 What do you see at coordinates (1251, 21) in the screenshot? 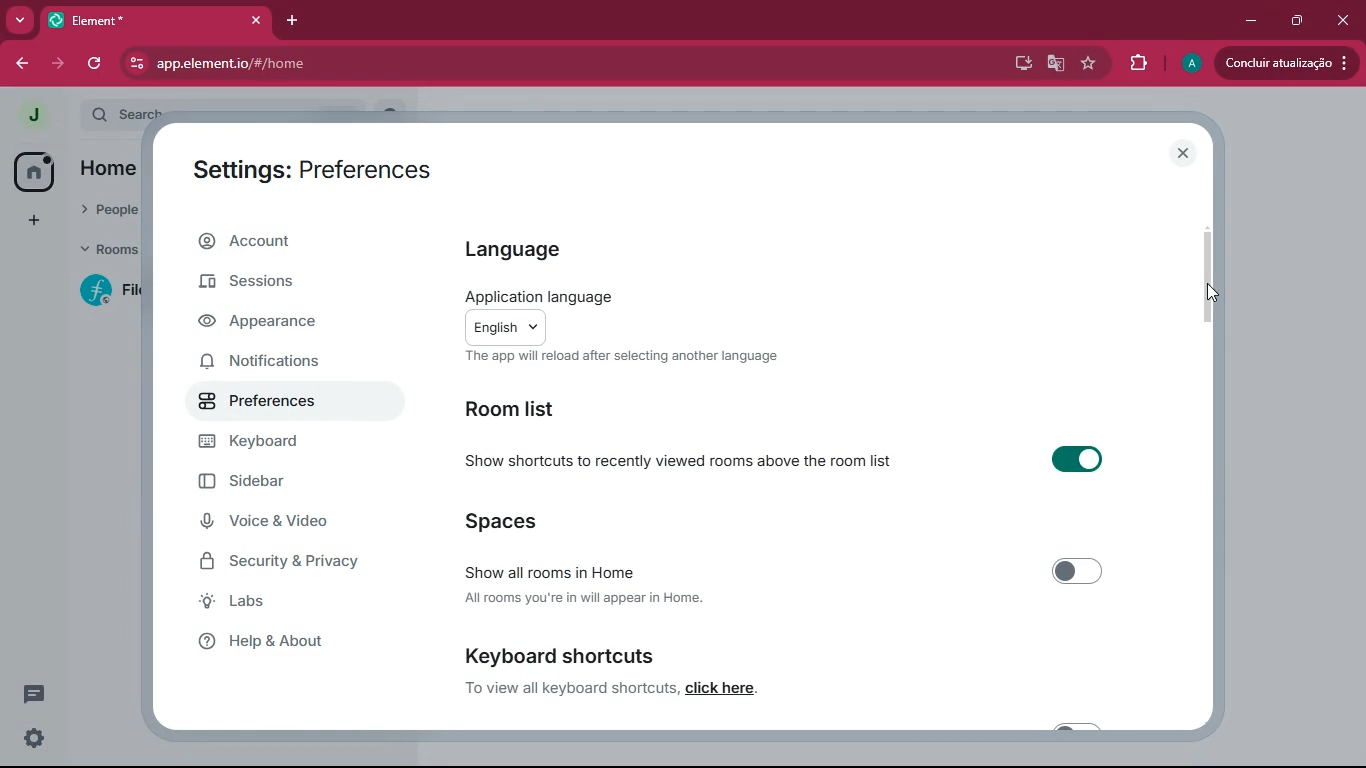
I see `minimize` at bounding box center [1251, 21].